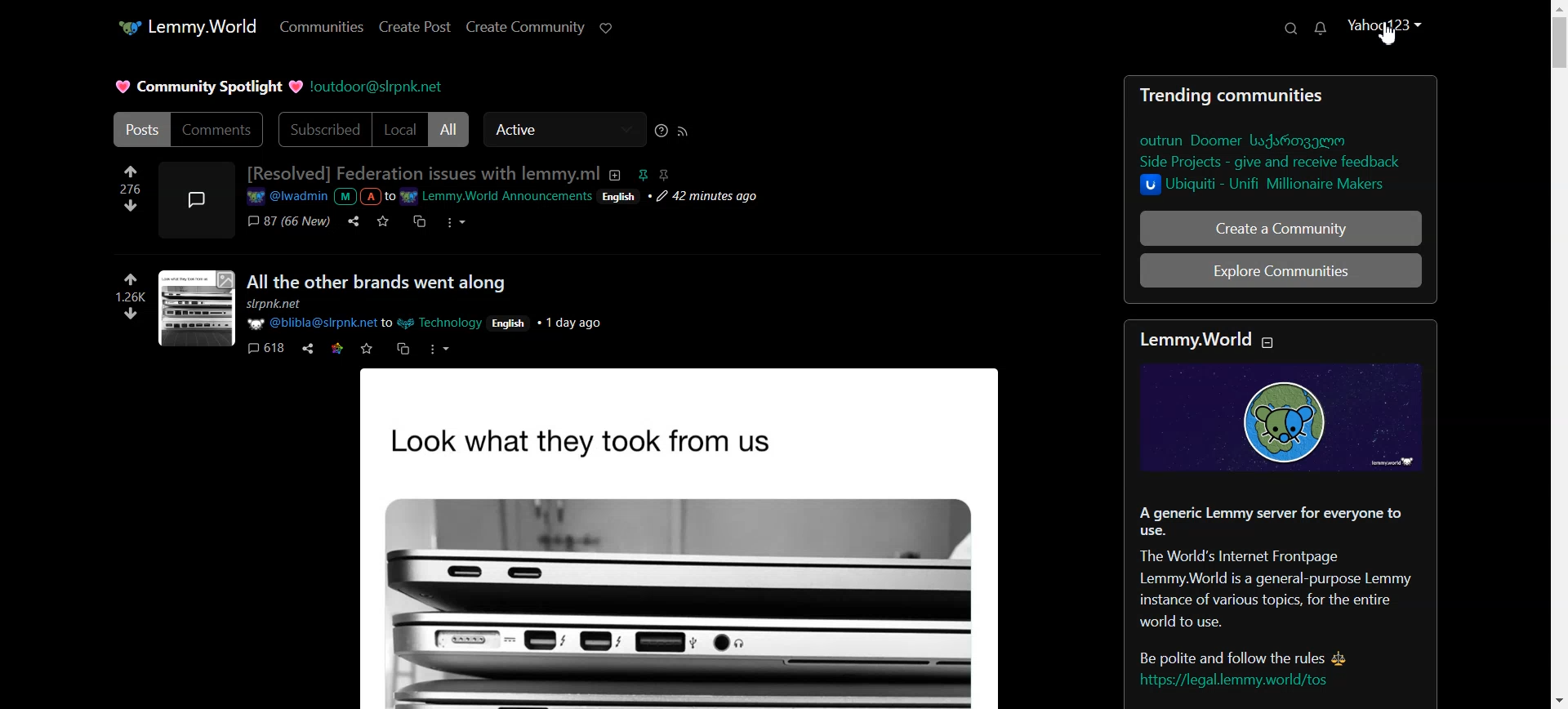 The height and width of the screenshot is (709, 1568). Describe the element at coordinates (289, 221) in the screenshot. I see `Comment` at that location.